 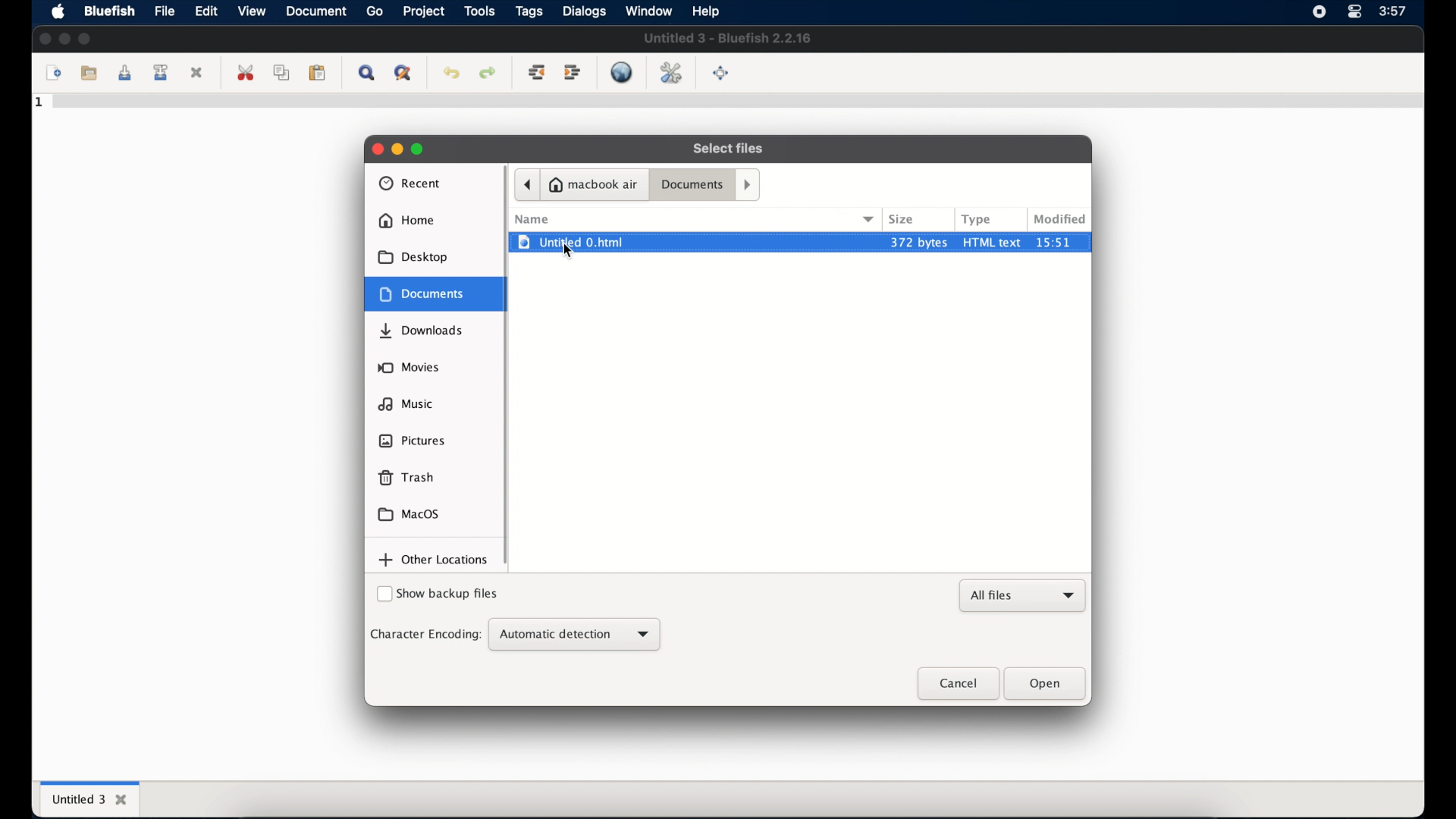 I want to click on maximize, so click(x=85, y=38).